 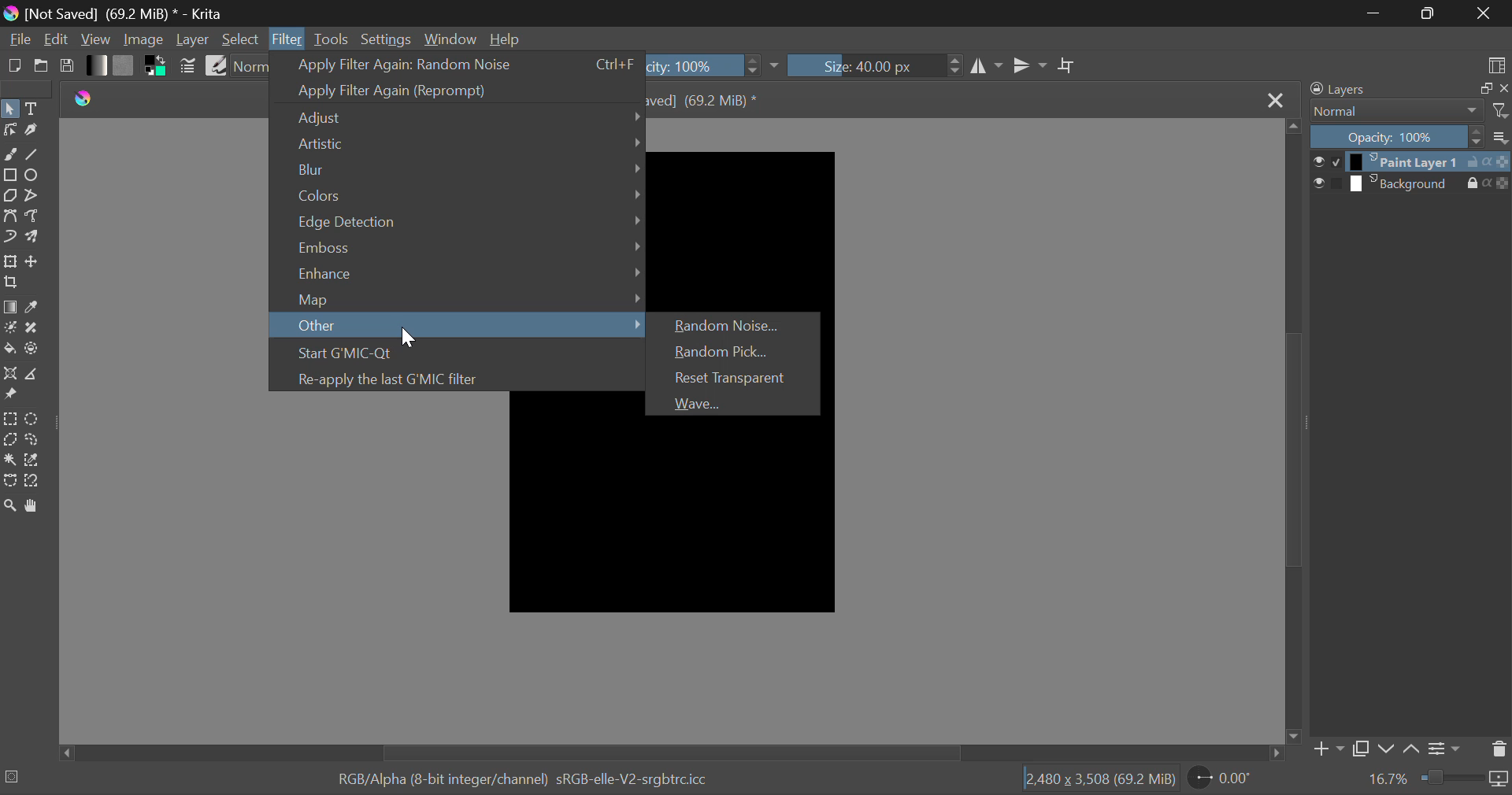 I want to click on Edge Detection, so click(x=466, y=220).